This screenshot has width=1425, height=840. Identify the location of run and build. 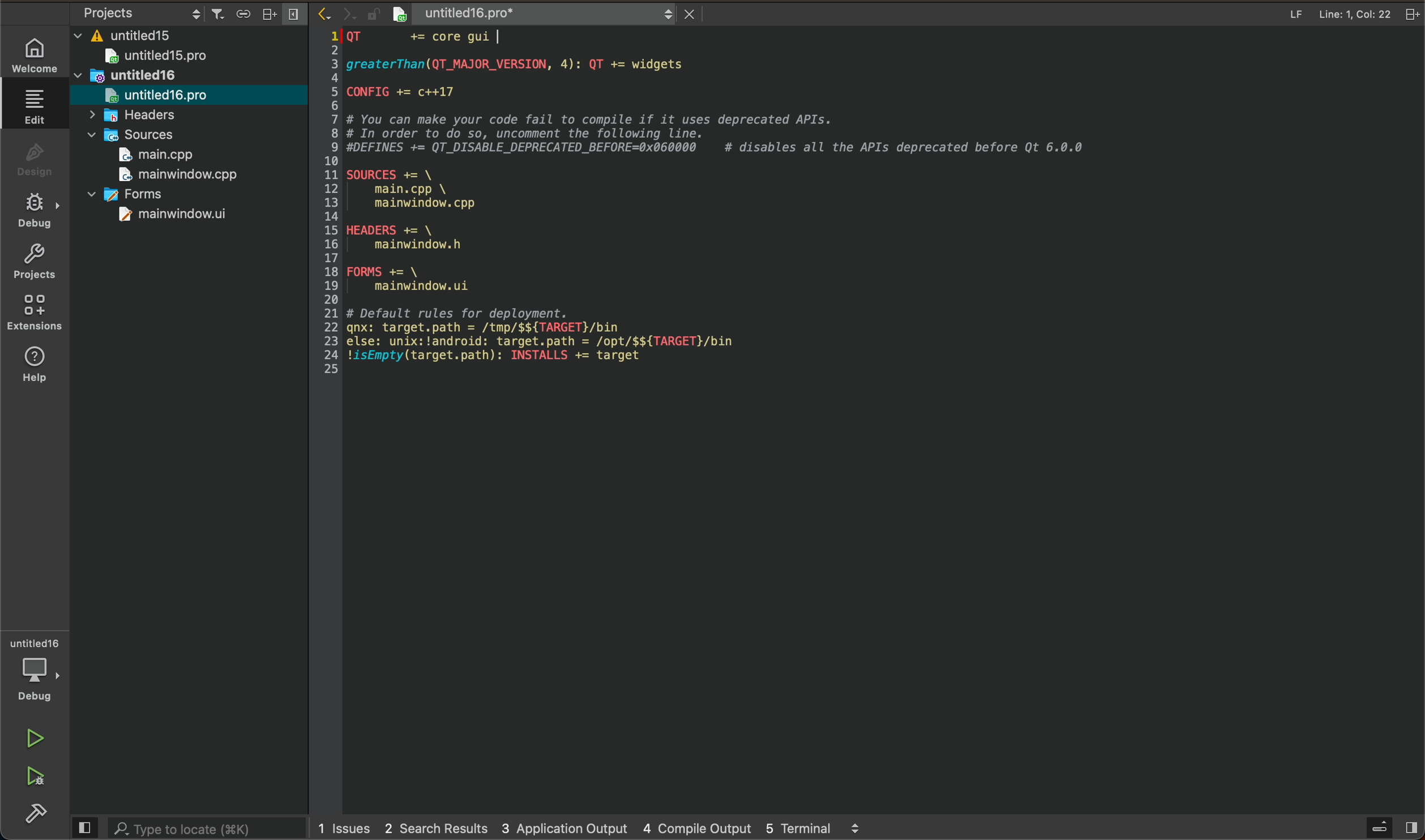
(35, 777).